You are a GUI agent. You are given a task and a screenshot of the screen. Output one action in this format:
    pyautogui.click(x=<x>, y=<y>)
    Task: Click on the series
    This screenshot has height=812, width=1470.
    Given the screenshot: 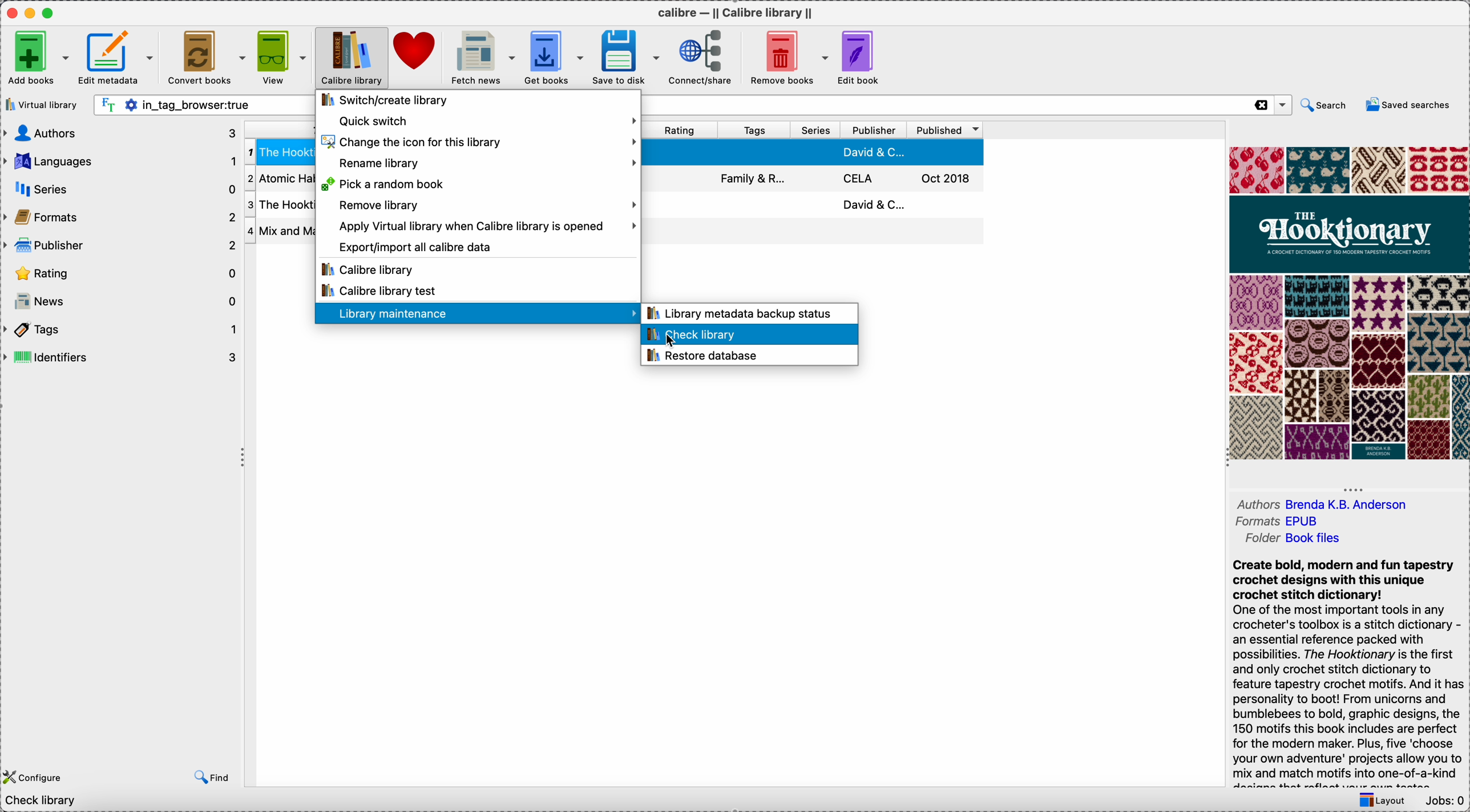 What is the action you would take?
    pyautogui.click(x=814, y=131)
    